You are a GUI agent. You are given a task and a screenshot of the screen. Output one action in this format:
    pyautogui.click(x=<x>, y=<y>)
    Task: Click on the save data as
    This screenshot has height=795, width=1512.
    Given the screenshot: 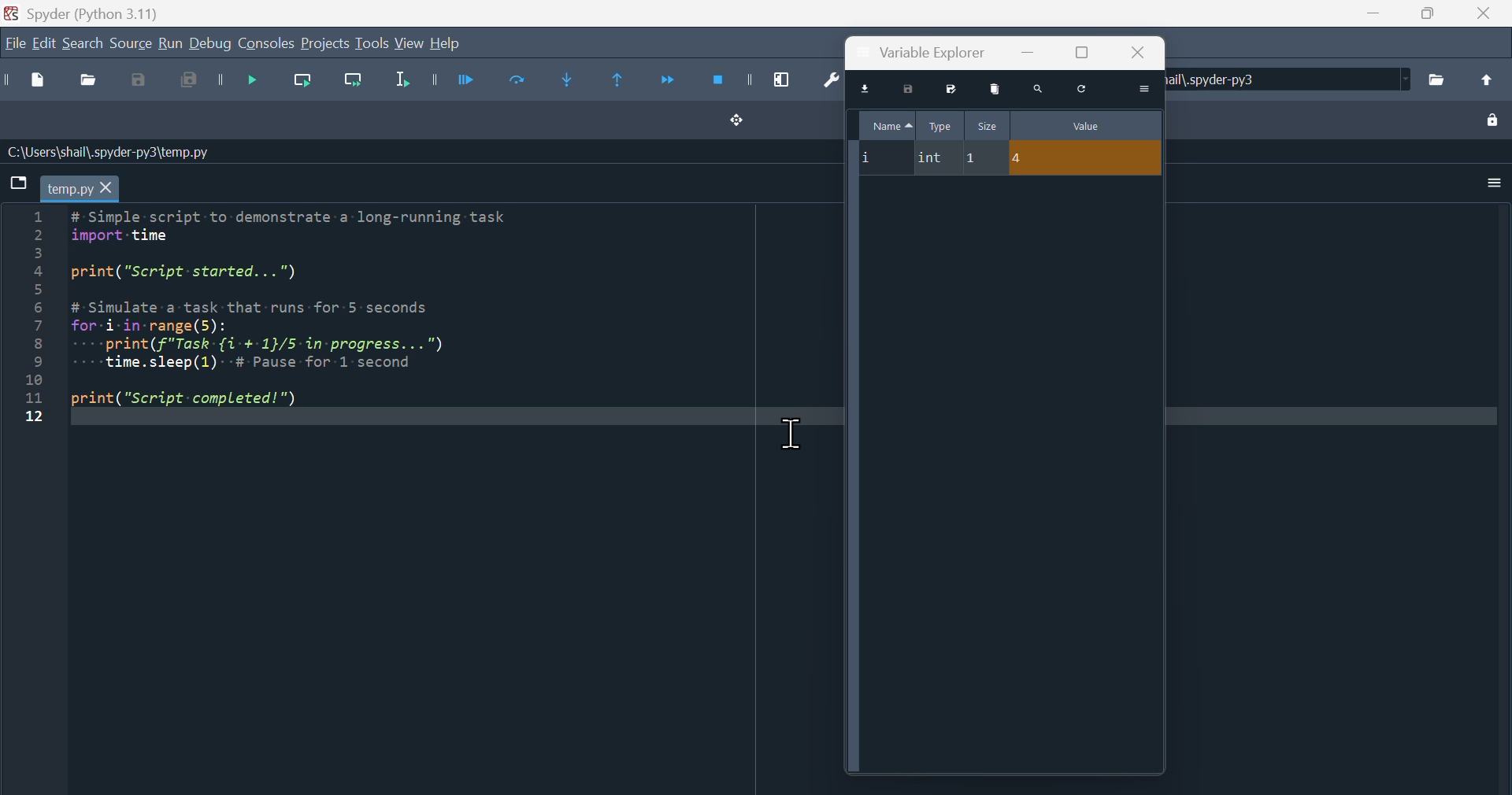 What is the action you would take?
    pyautogui.click(x=950, y=88)
    